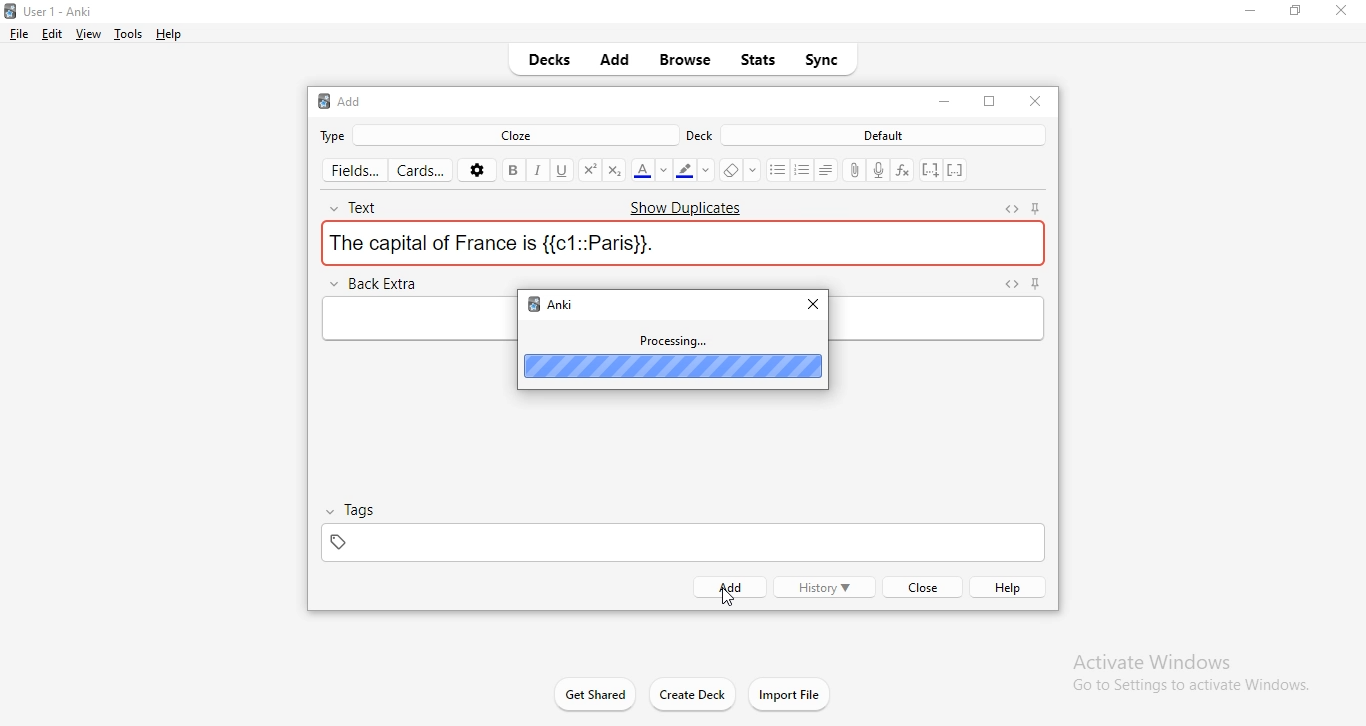 Image resolution: width=1366 pixels, height=726 pixels. Describe the element at coordinates (760, 58) in the screenshot. I see `stats` at that location.